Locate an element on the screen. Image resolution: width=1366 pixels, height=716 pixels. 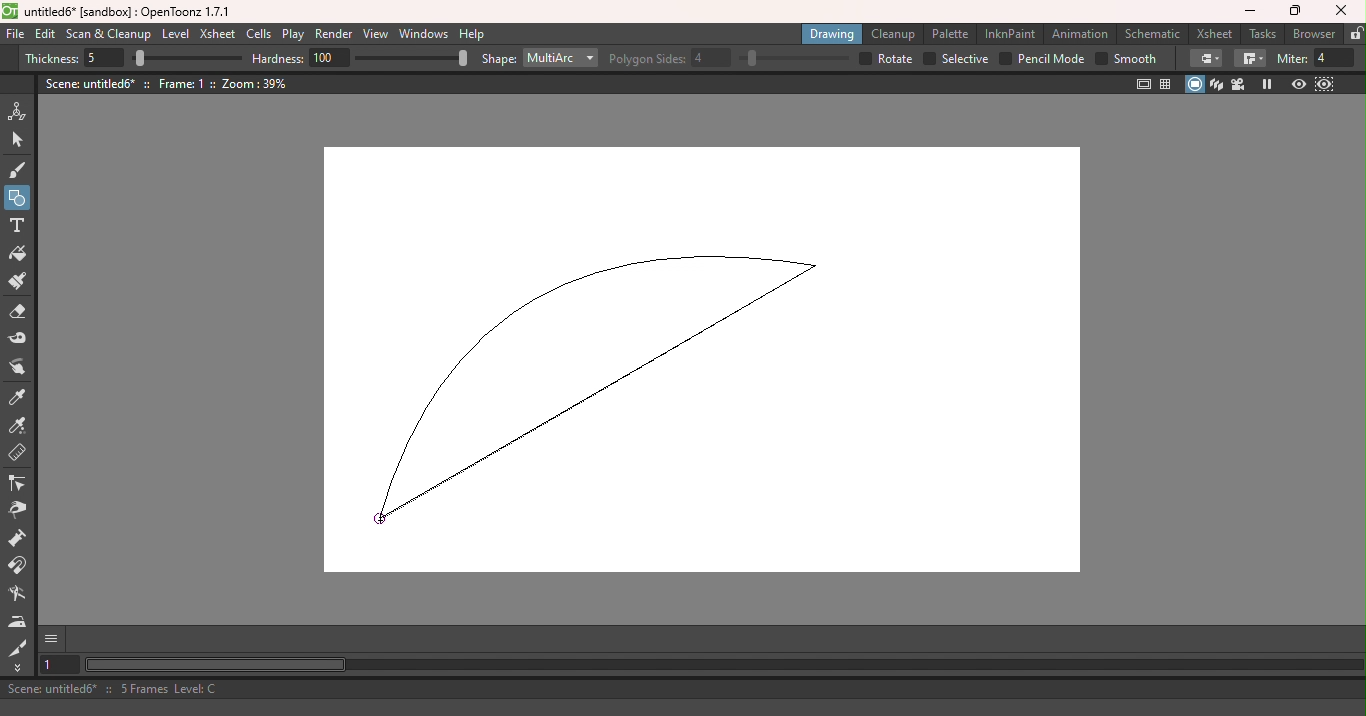
Edit is located at coordinates (45, 36).